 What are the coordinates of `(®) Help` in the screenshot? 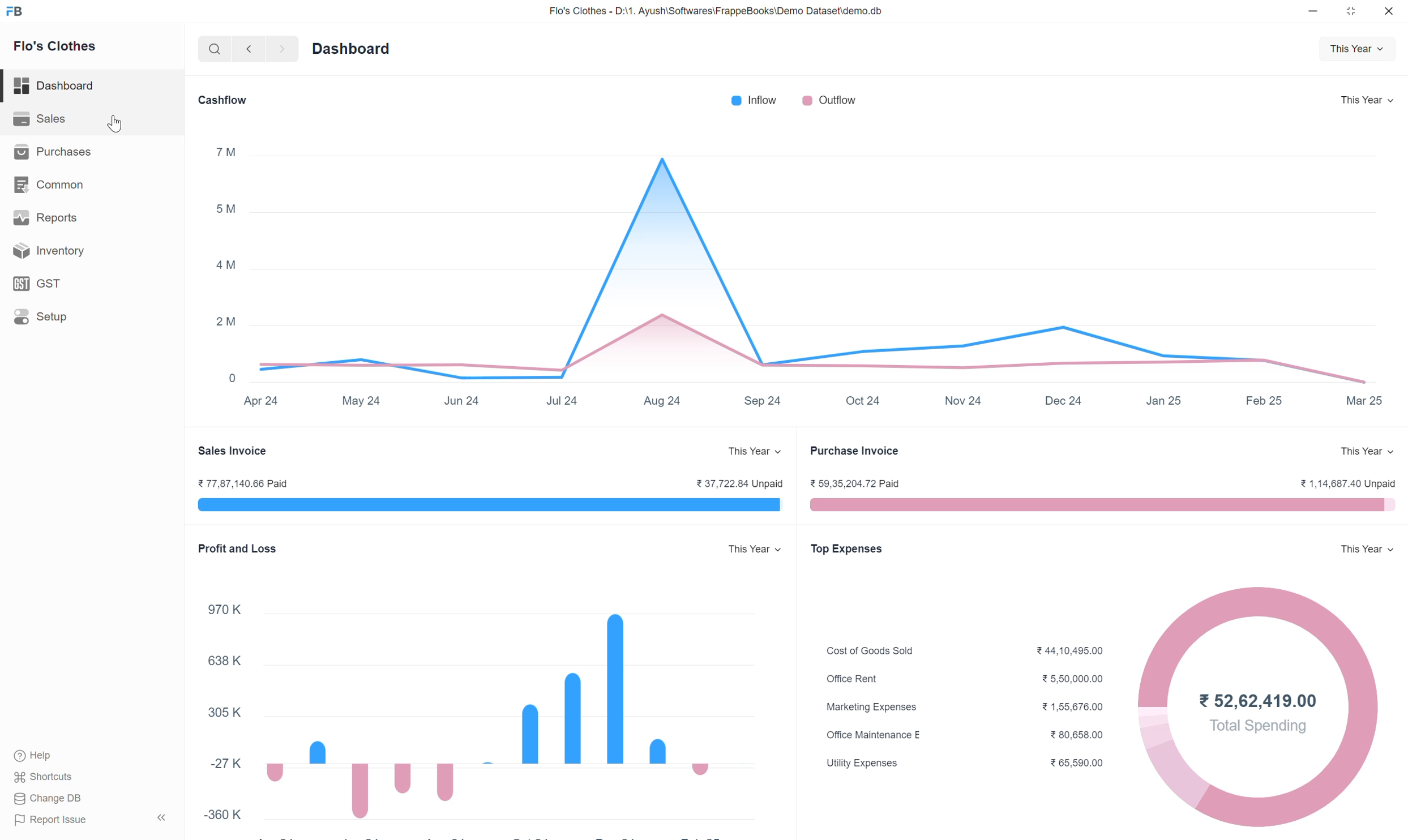 It's located at (28, 752).